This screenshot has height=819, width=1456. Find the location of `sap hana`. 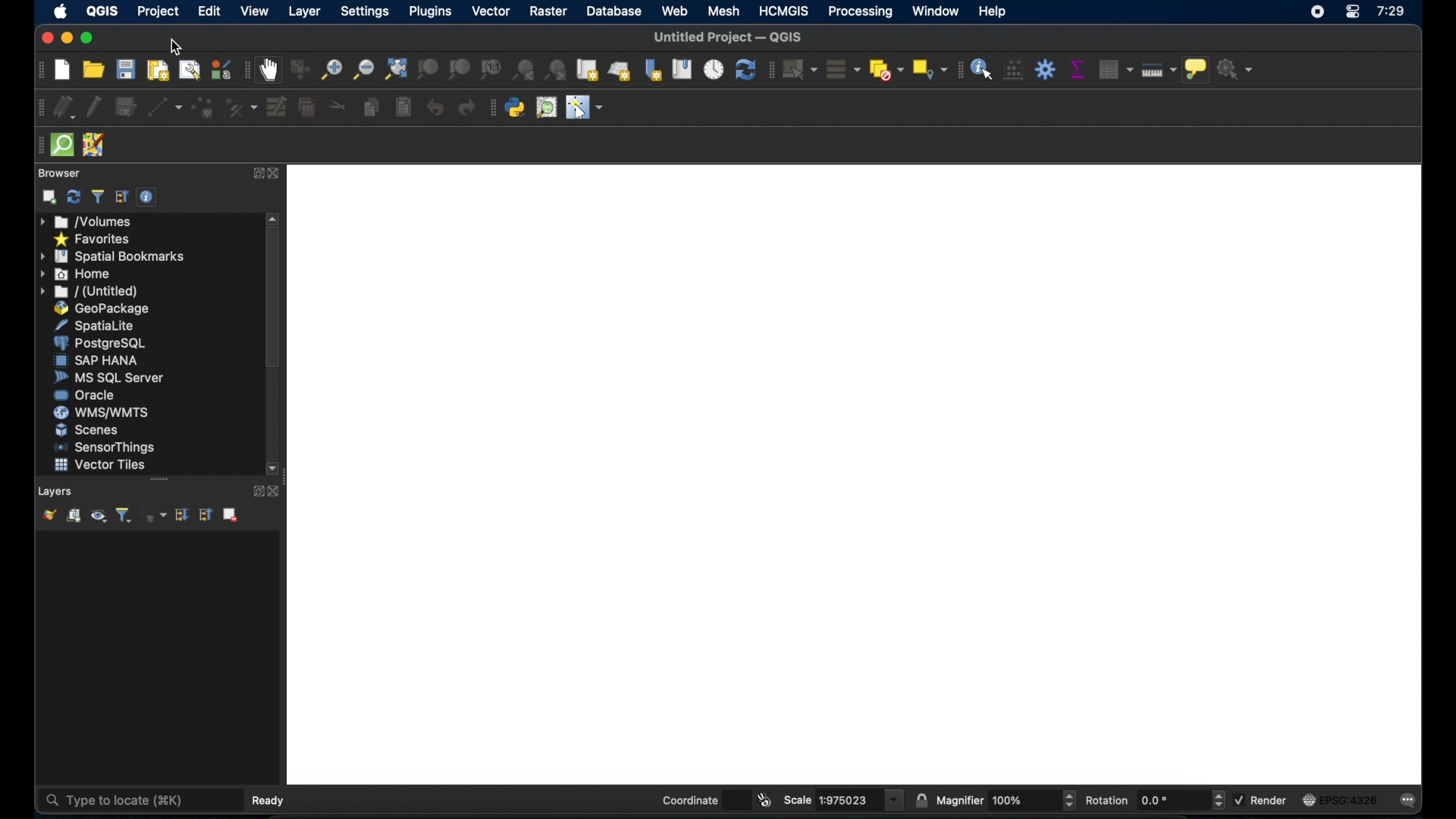

sap hana is located at coordinates (99, 360).